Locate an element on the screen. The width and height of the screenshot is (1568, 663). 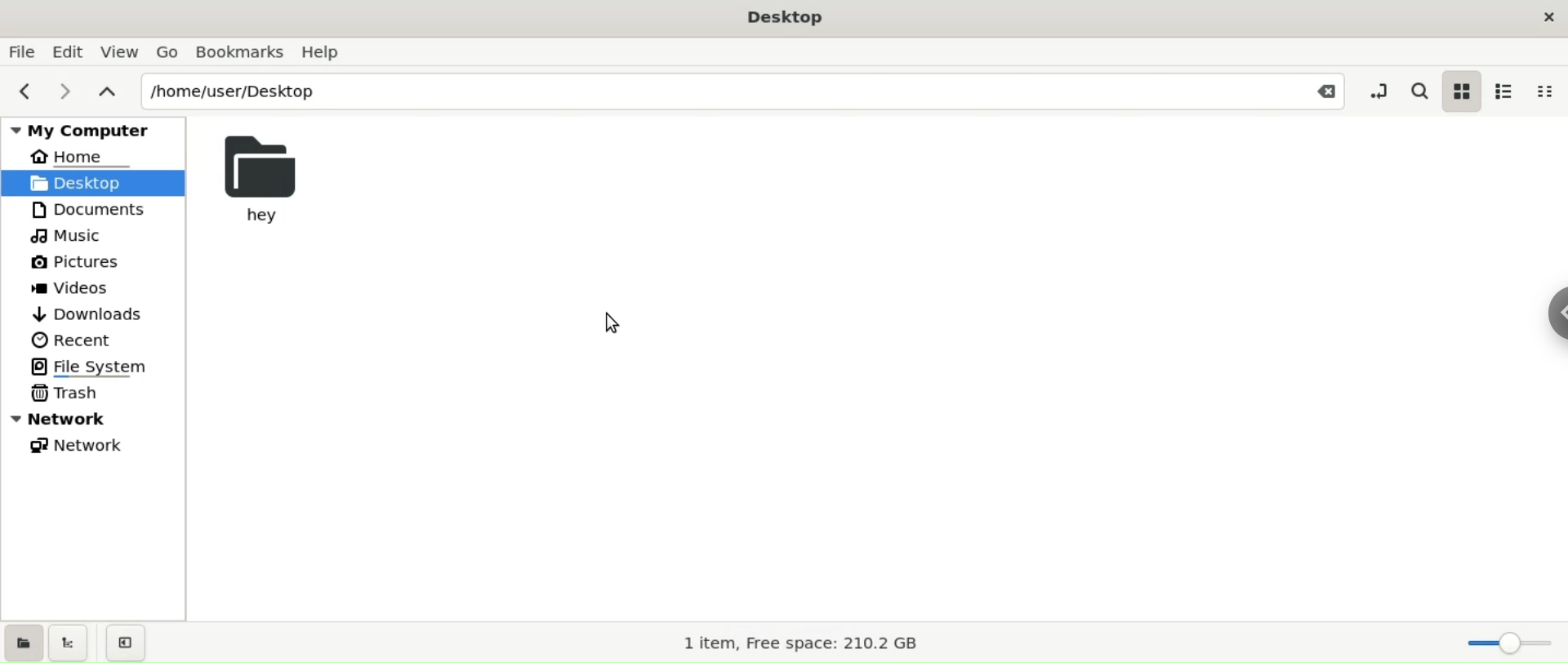
recent is located at coordinates (74, 341).